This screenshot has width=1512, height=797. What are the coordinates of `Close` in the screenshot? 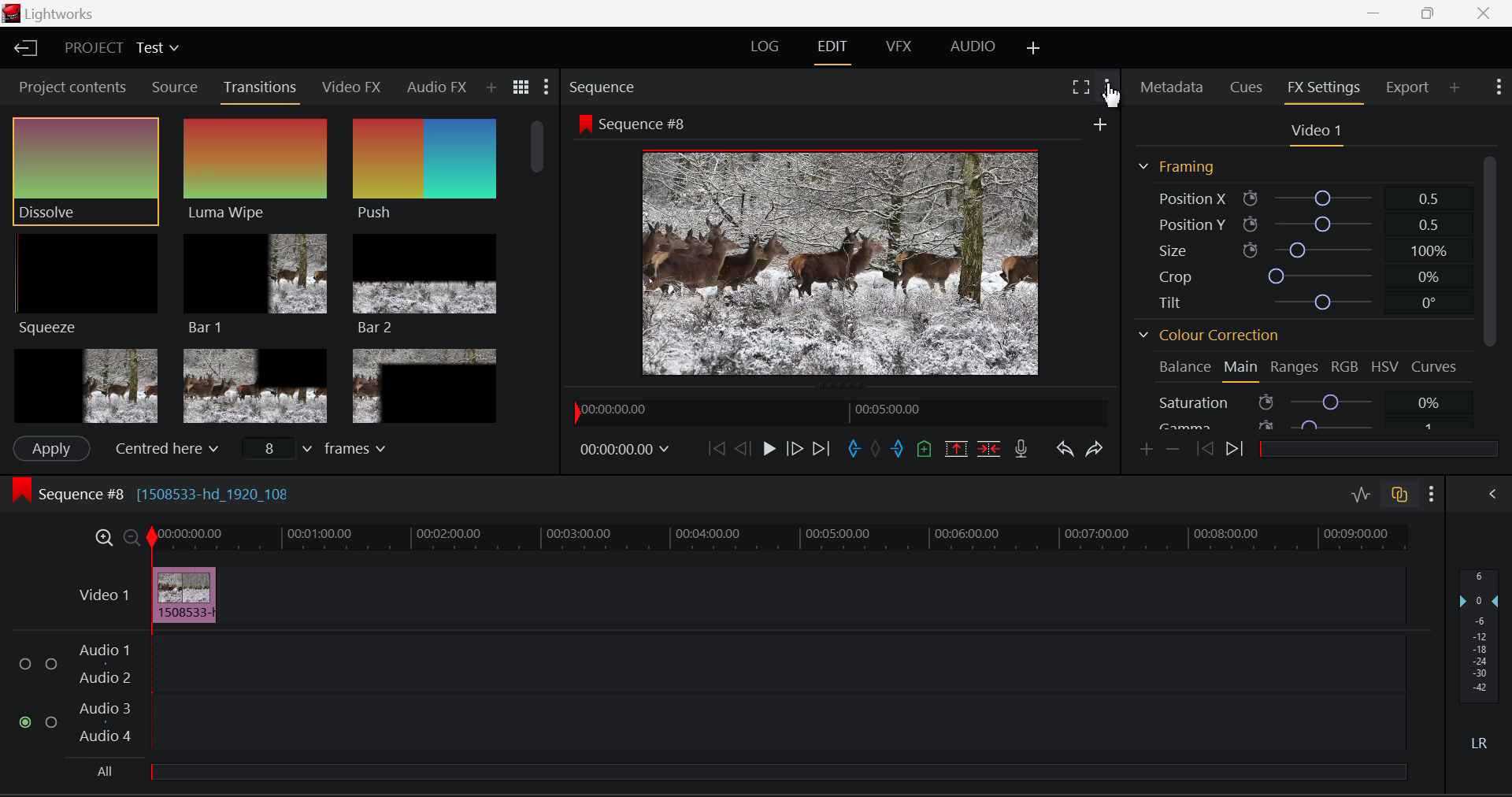 It's located at (1485, 13).